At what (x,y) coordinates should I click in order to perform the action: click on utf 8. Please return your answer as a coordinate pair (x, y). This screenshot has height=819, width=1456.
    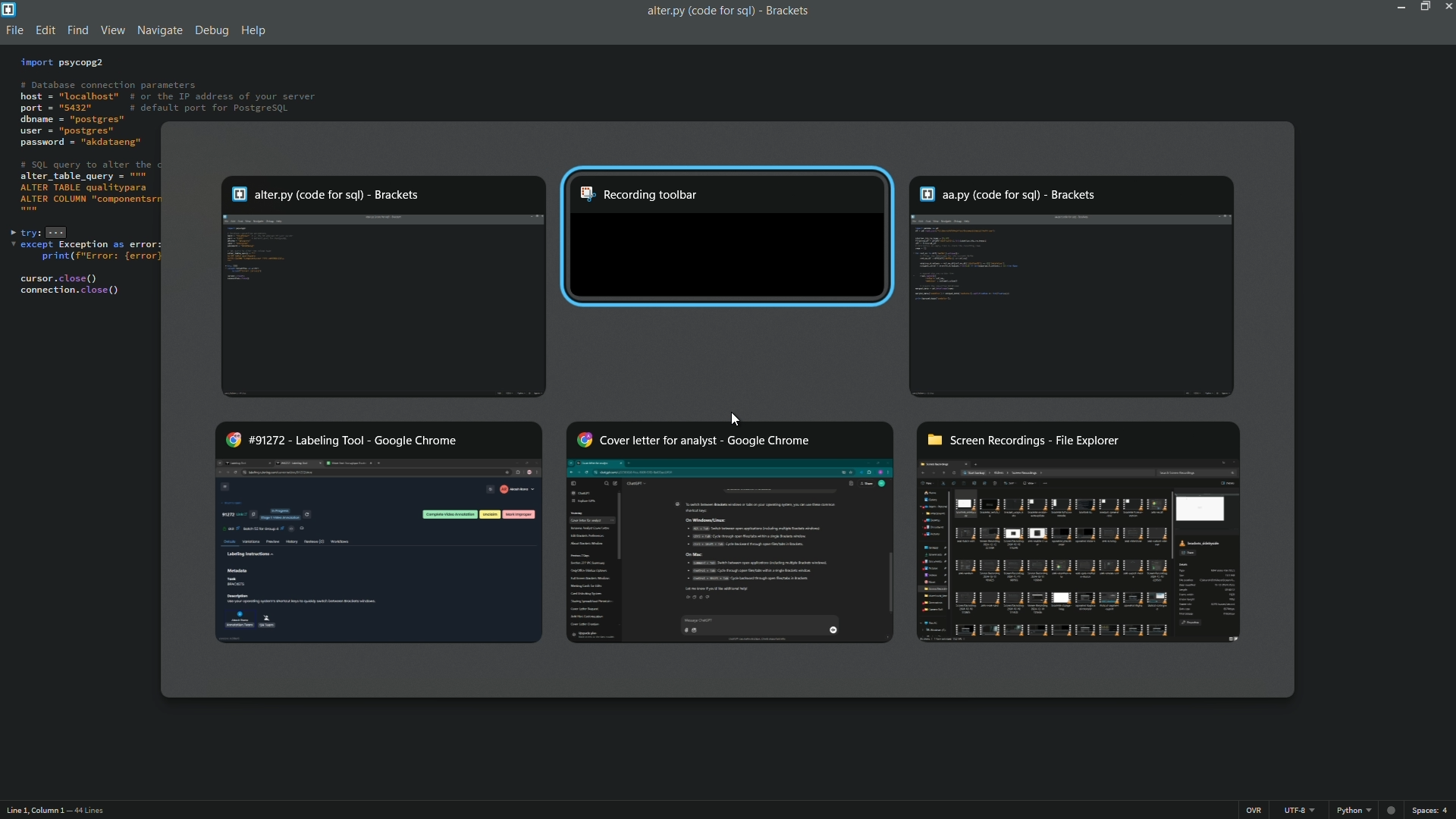
    Looking at the image, I should click on (1301, 811).